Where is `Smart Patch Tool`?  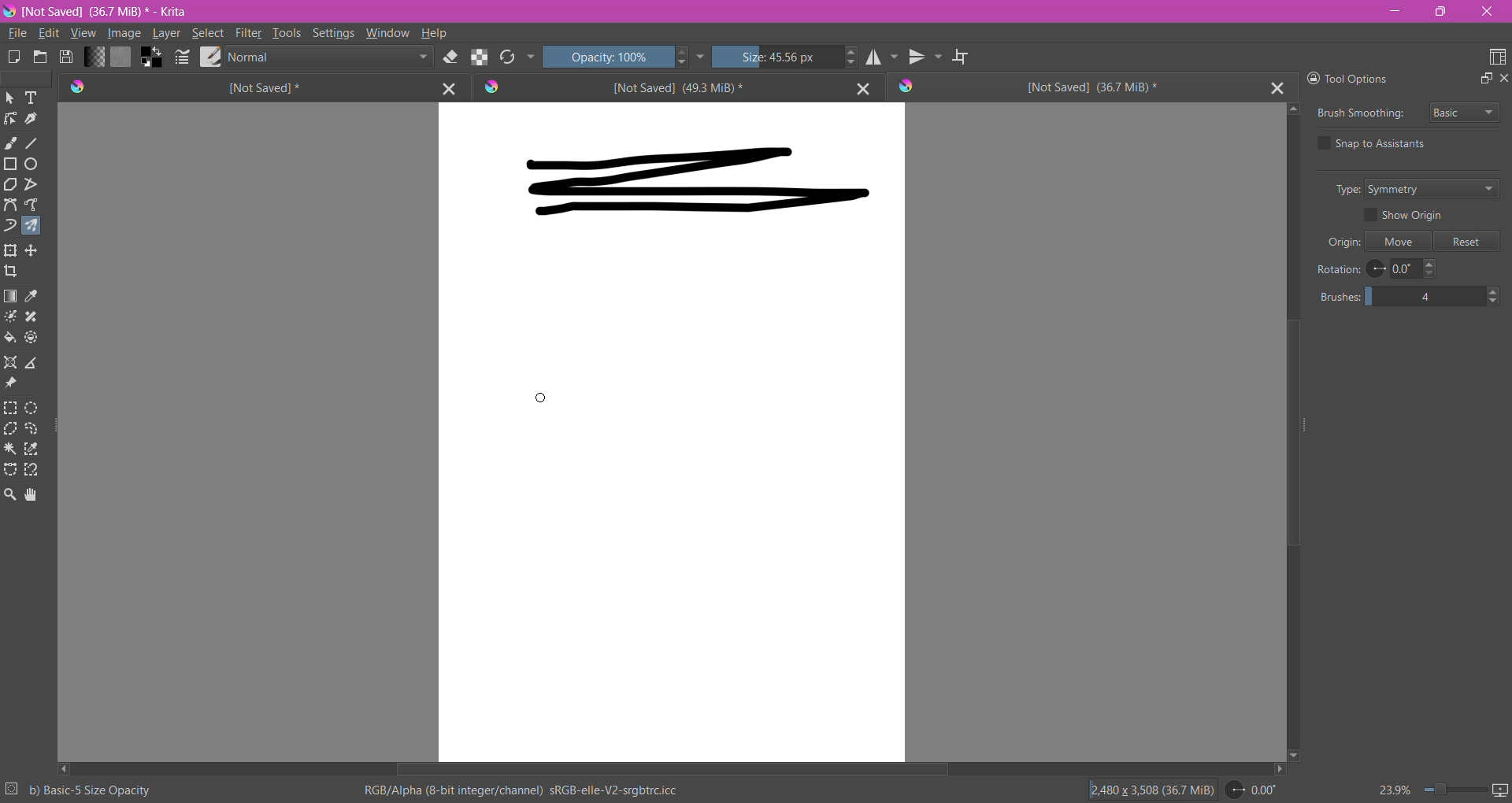
Smart Patch Tool is located at coordinates (32, 317).